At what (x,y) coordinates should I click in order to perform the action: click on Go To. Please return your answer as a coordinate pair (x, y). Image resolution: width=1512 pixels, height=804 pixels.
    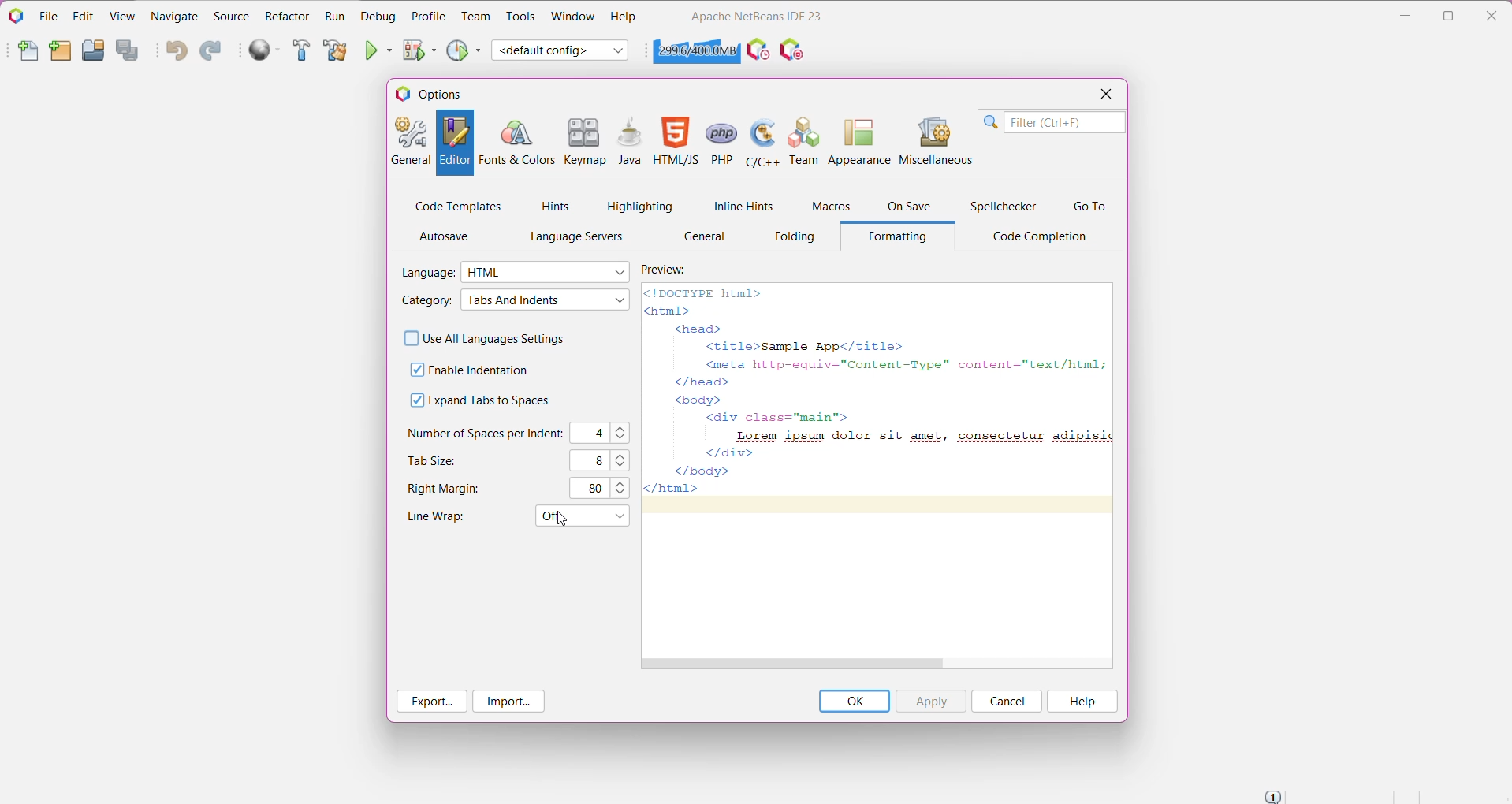
    Looking at the image, I should click on (1089, 207).